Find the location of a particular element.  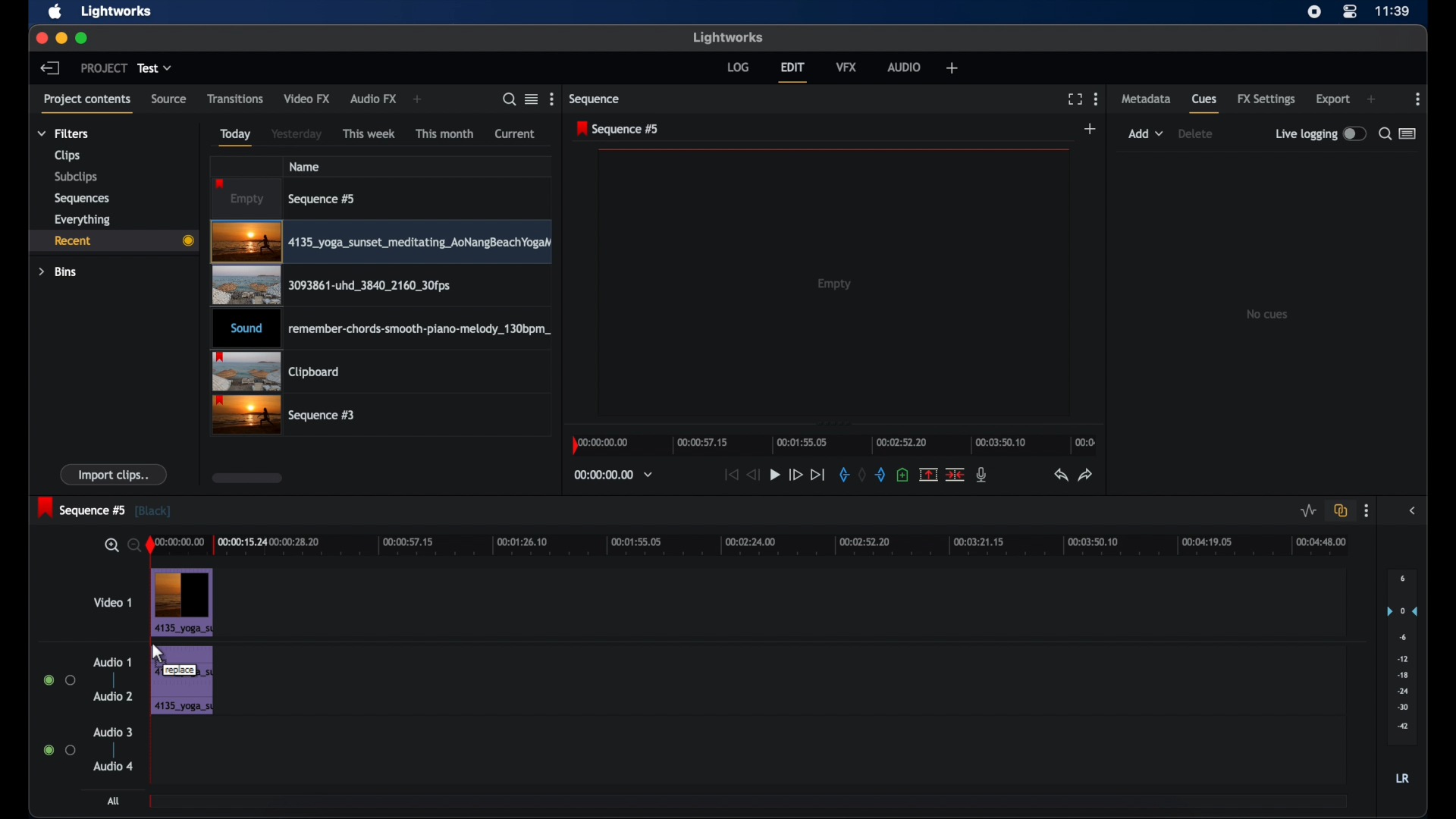

videoclip is located at coordinates (382, 286).